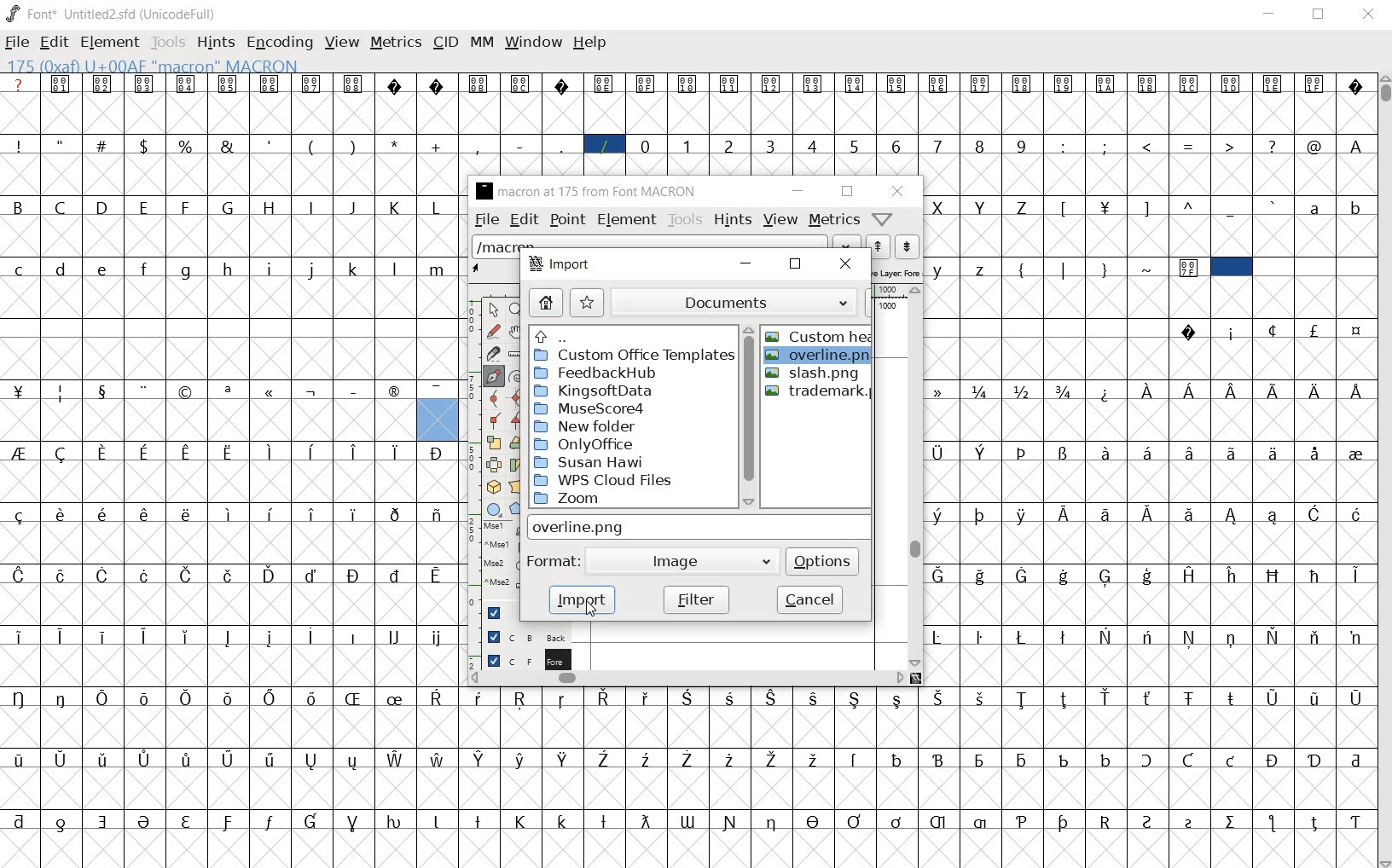 Image resolution: width=1392 pixels, height=868 pixels. What do you see at coordinates (1271, 144) in the screenshot?
I see `?` at bounding box center [1271, 144].